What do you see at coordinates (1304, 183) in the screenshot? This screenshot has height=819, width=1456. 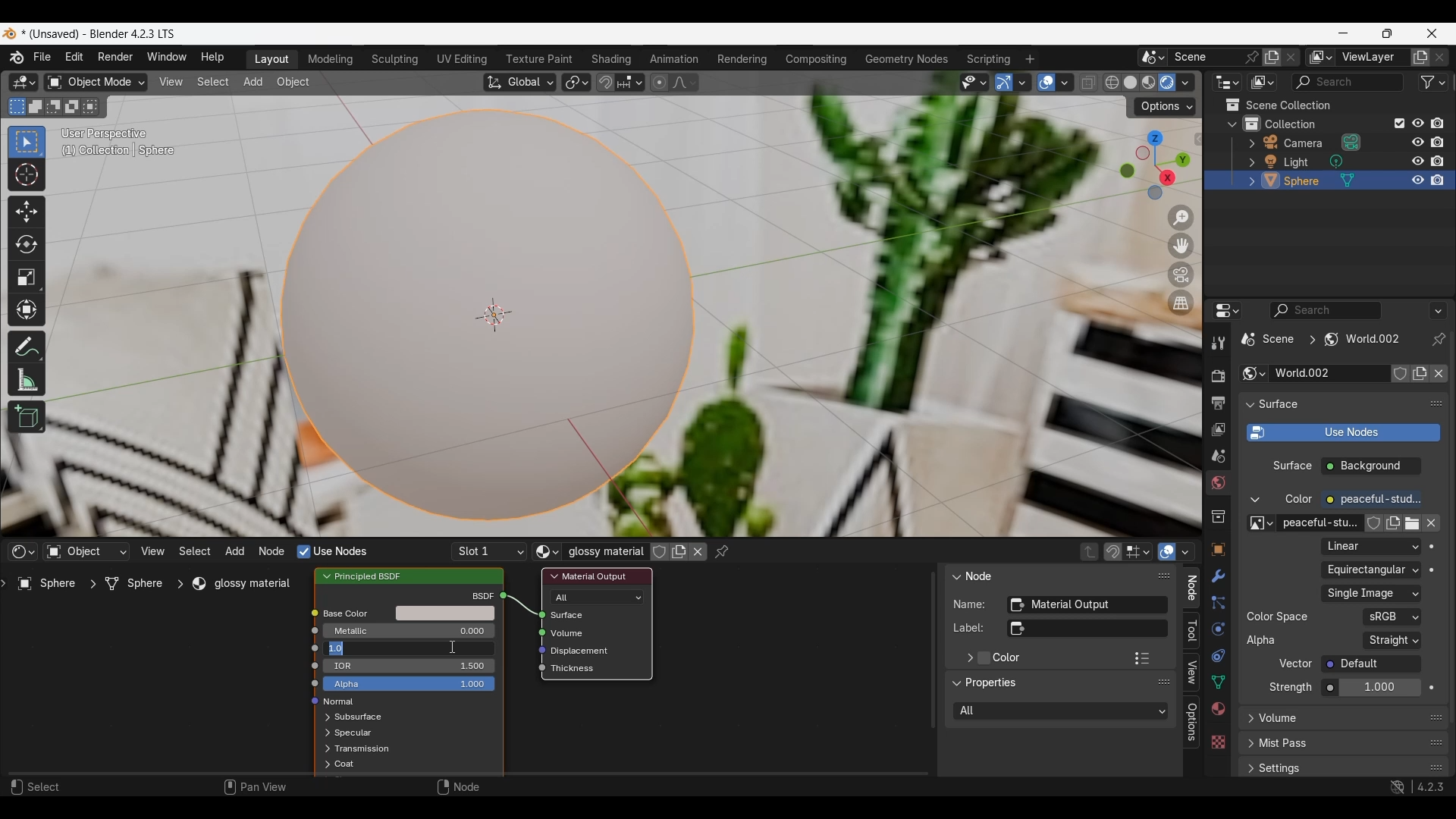 I see `sphere` at bounding box center [1304, 183].